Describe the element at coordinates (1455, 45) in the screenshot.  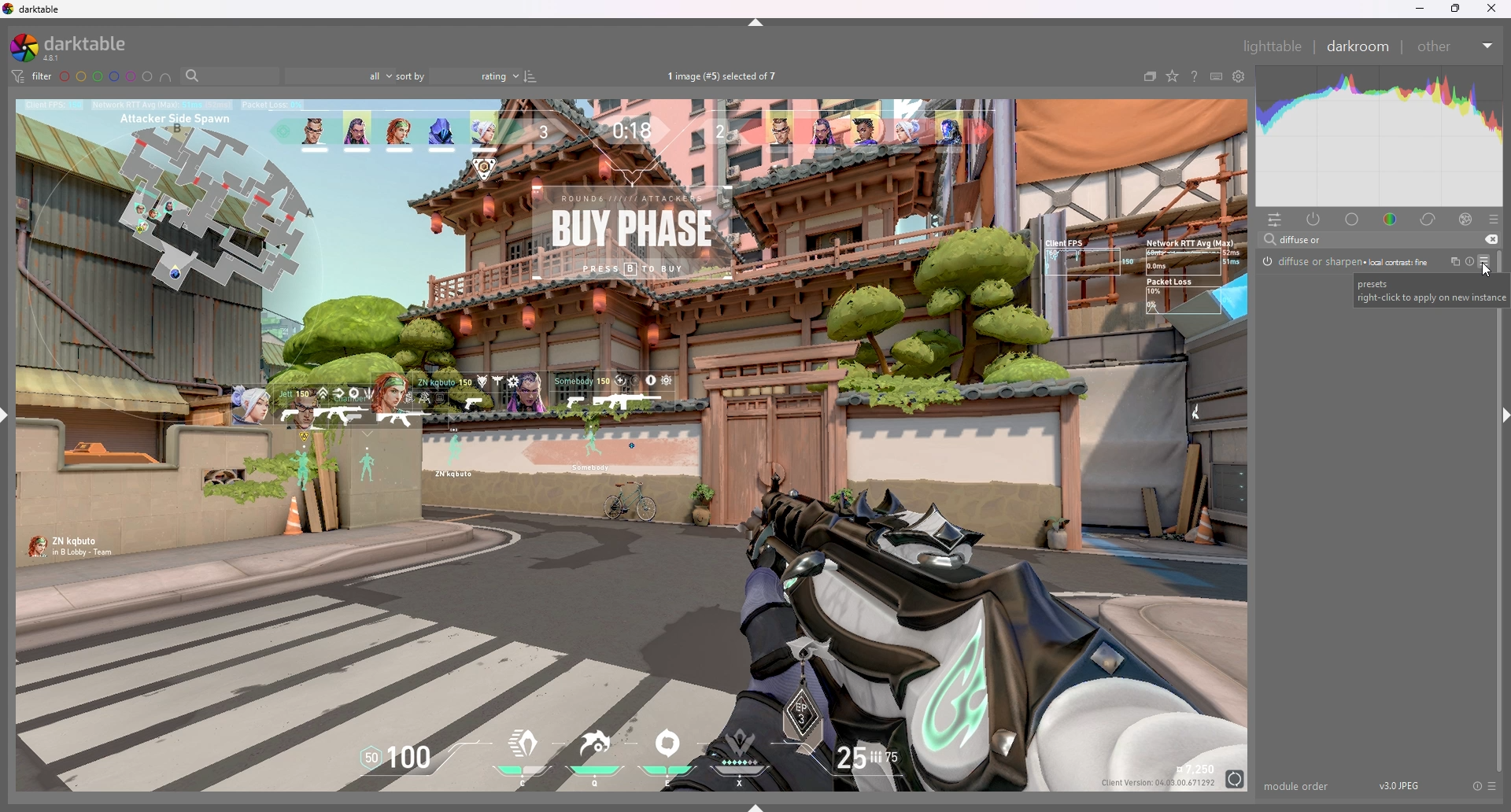
I see `other` at that location.